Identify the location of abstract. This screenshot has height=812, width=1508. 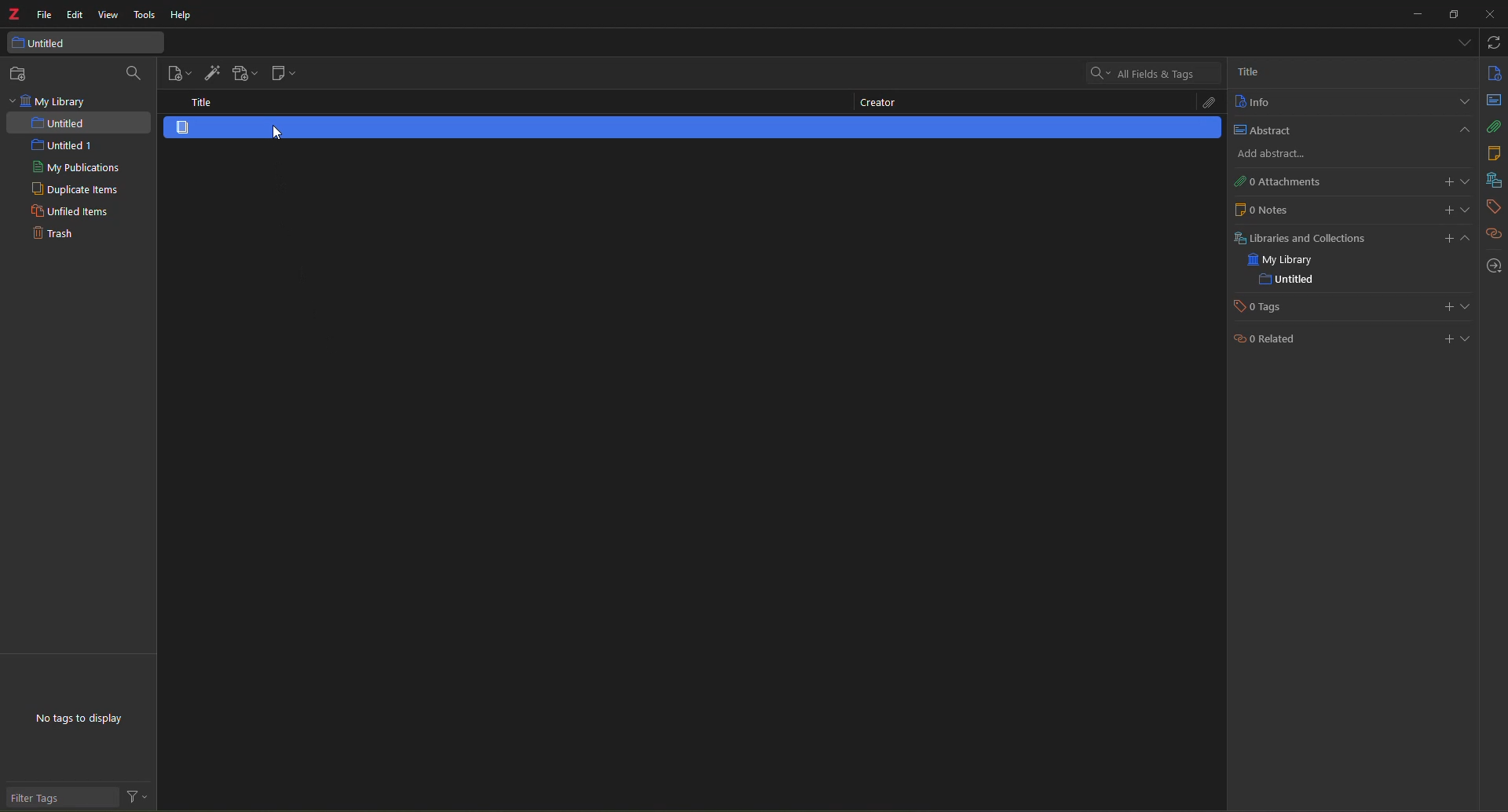
(1495, 100).